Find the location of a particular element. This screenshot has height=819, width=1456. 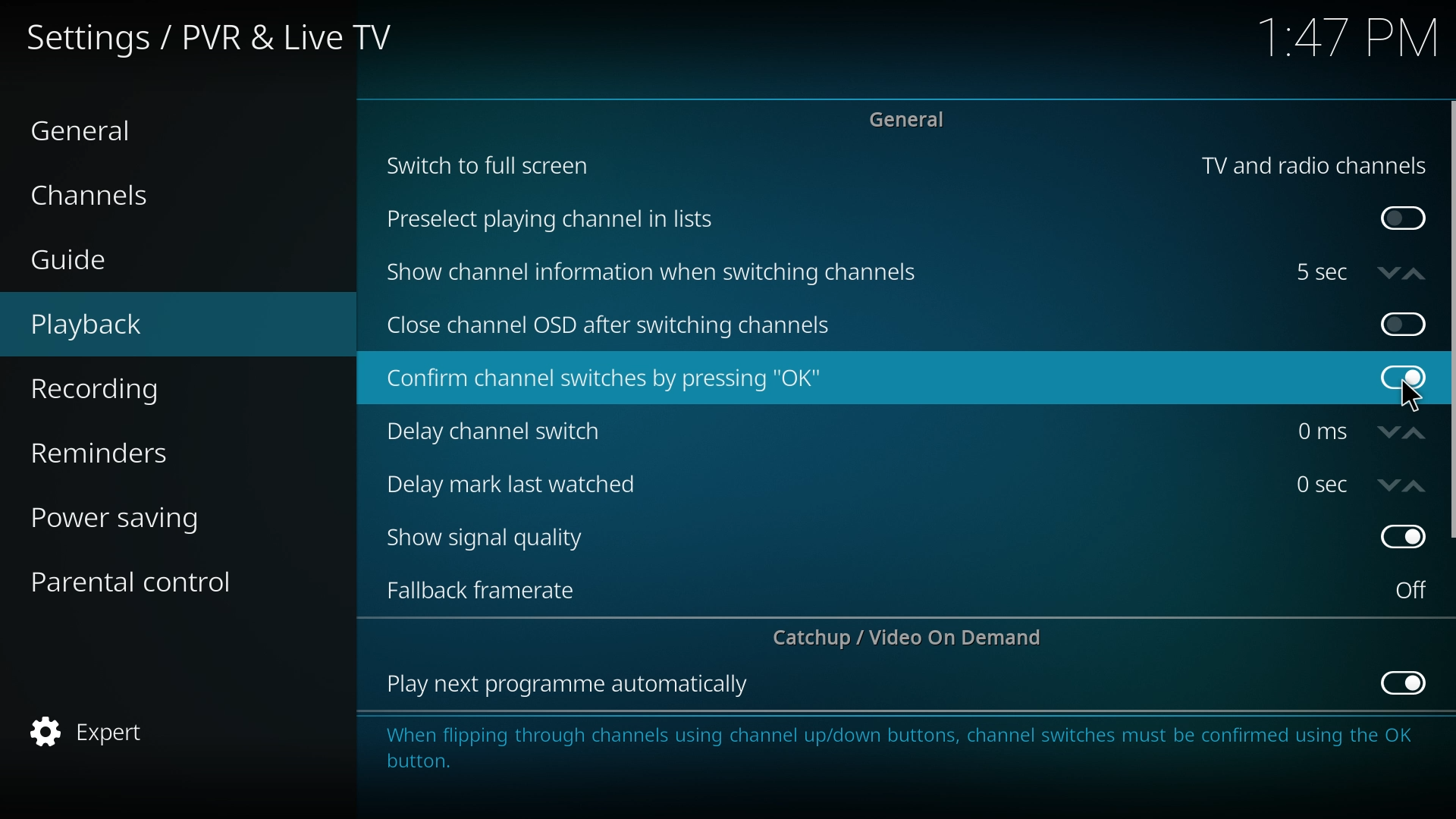

time is located at coordinates (1321, 272).